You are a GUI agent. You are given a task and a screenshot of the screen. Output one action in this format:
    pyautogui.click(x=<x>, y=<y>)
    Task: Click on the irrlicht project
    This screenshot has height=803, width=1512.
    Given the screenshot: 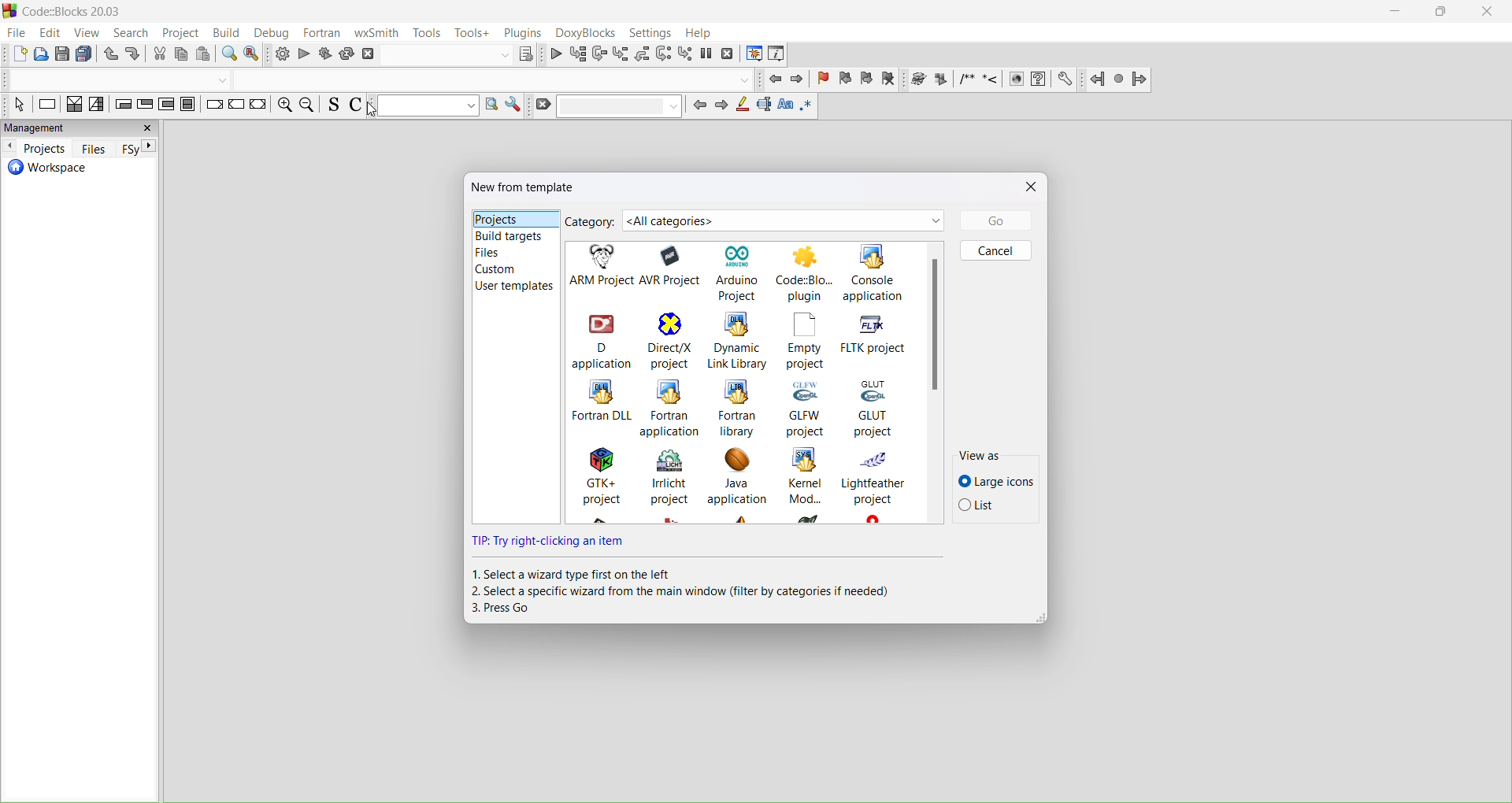 What is the action you would take?
    pyautogui.click(x=667, y=486)
    